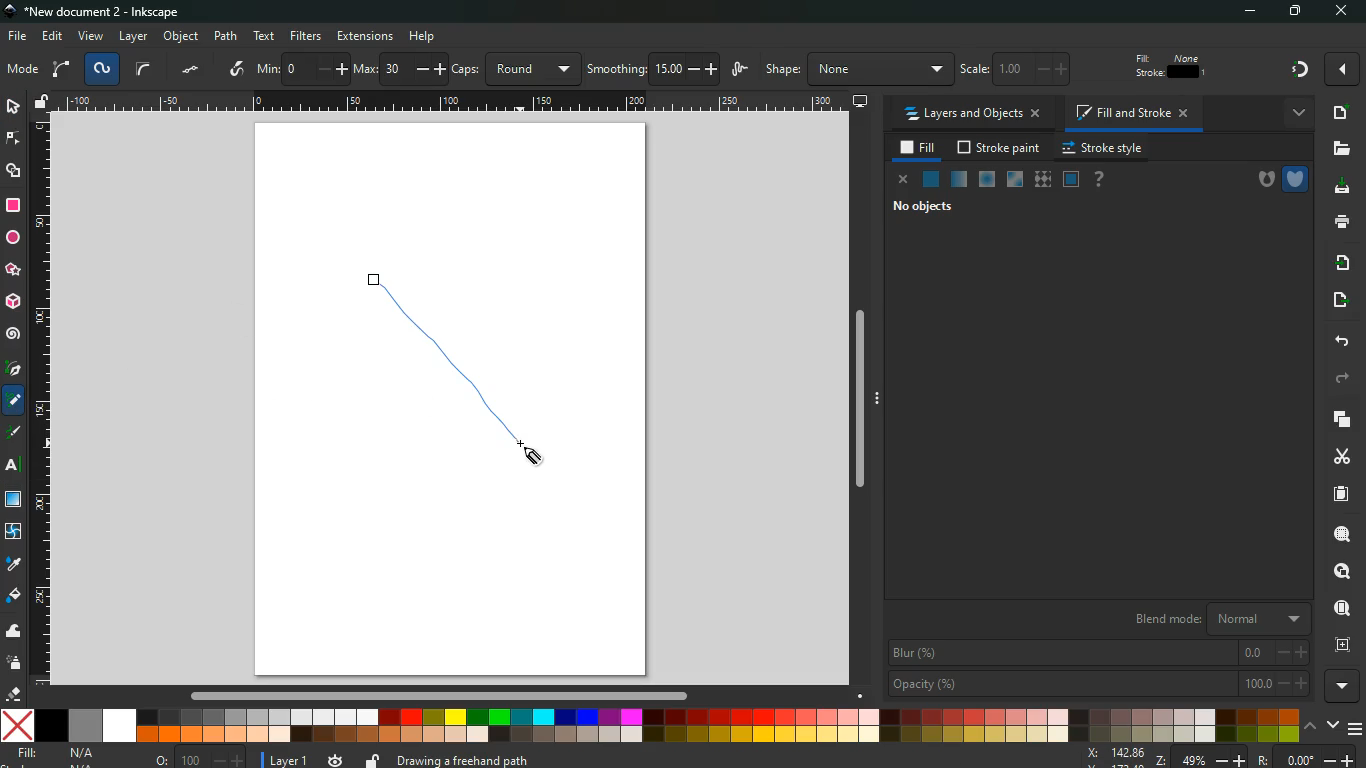  I want to click on , so click(453, 104).